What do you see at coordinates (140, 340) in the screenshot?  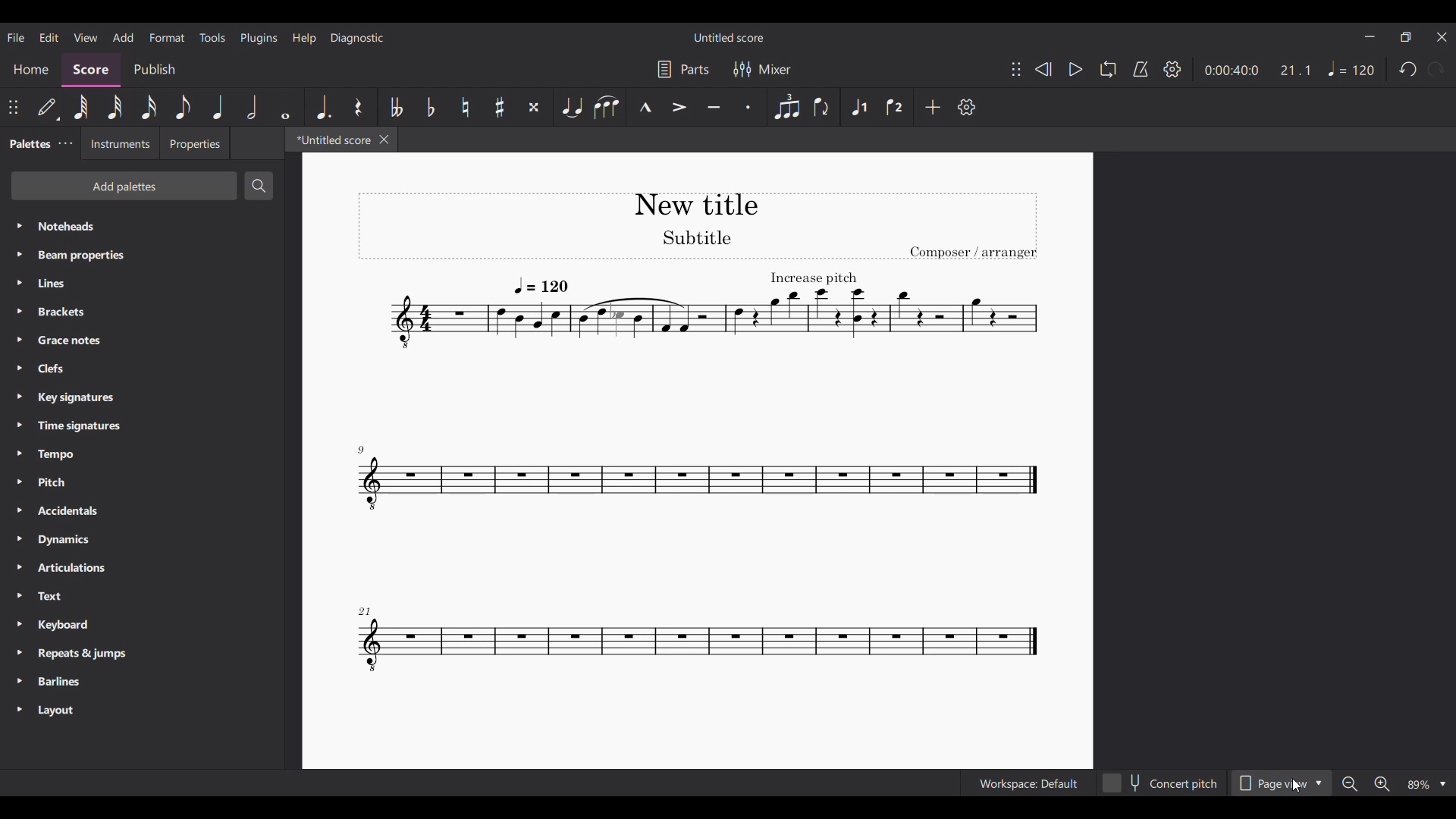 I see `Grace notes` at bounding box center [140, 340].